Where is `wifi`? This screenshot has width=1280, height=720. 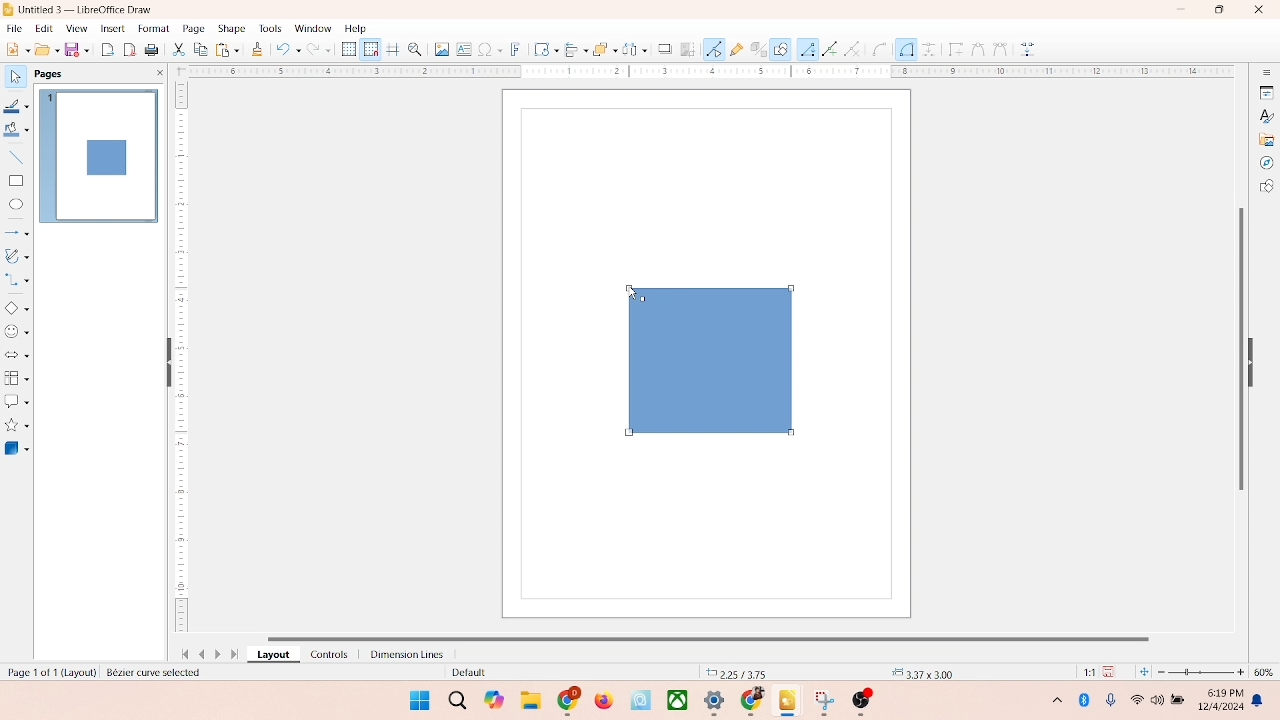 wifi is located at coordinates (1136, 696).